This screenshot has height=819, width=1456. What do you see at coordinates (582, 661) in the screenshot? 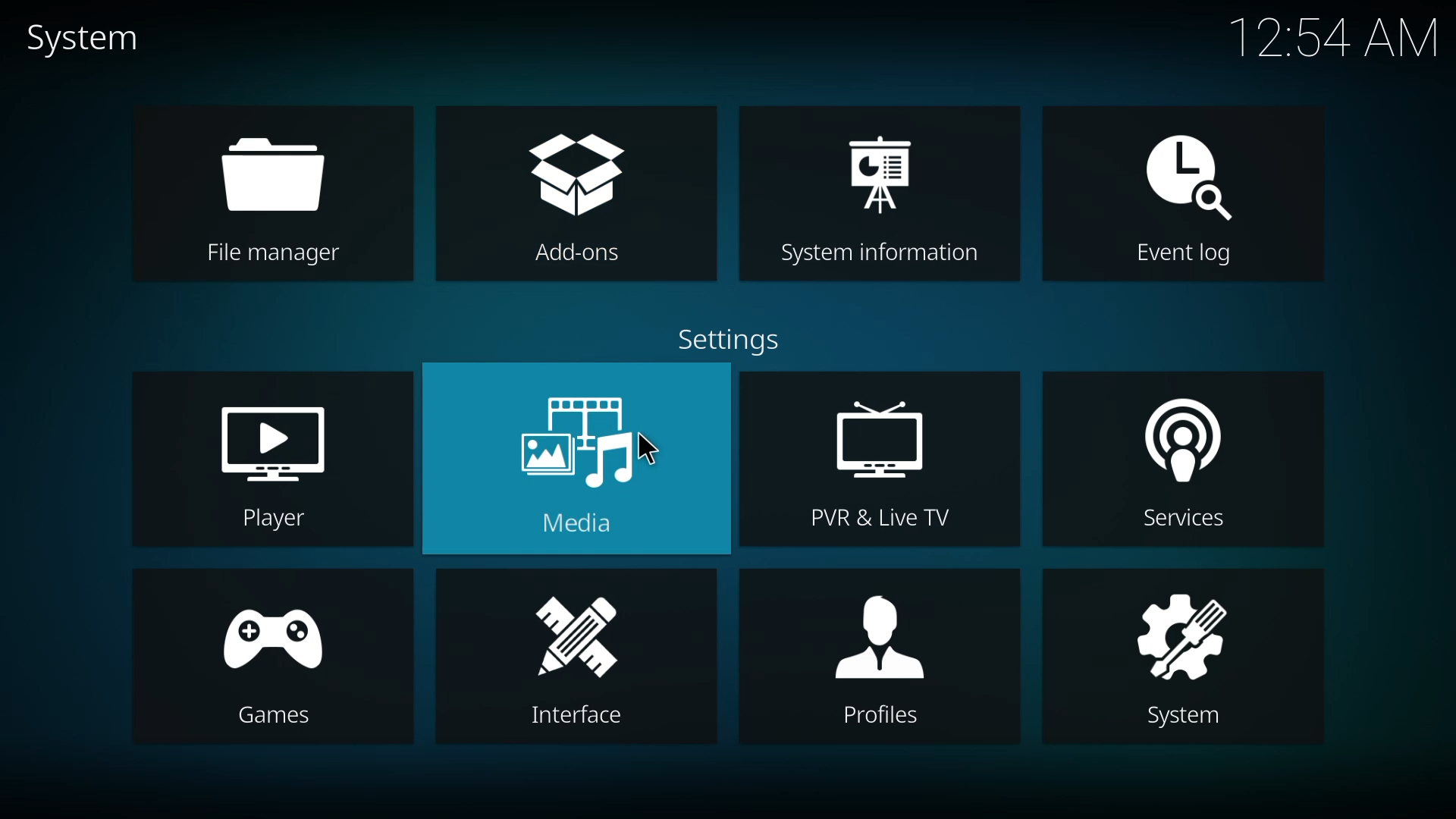
I see `interface` at bounding box center [582, 661].